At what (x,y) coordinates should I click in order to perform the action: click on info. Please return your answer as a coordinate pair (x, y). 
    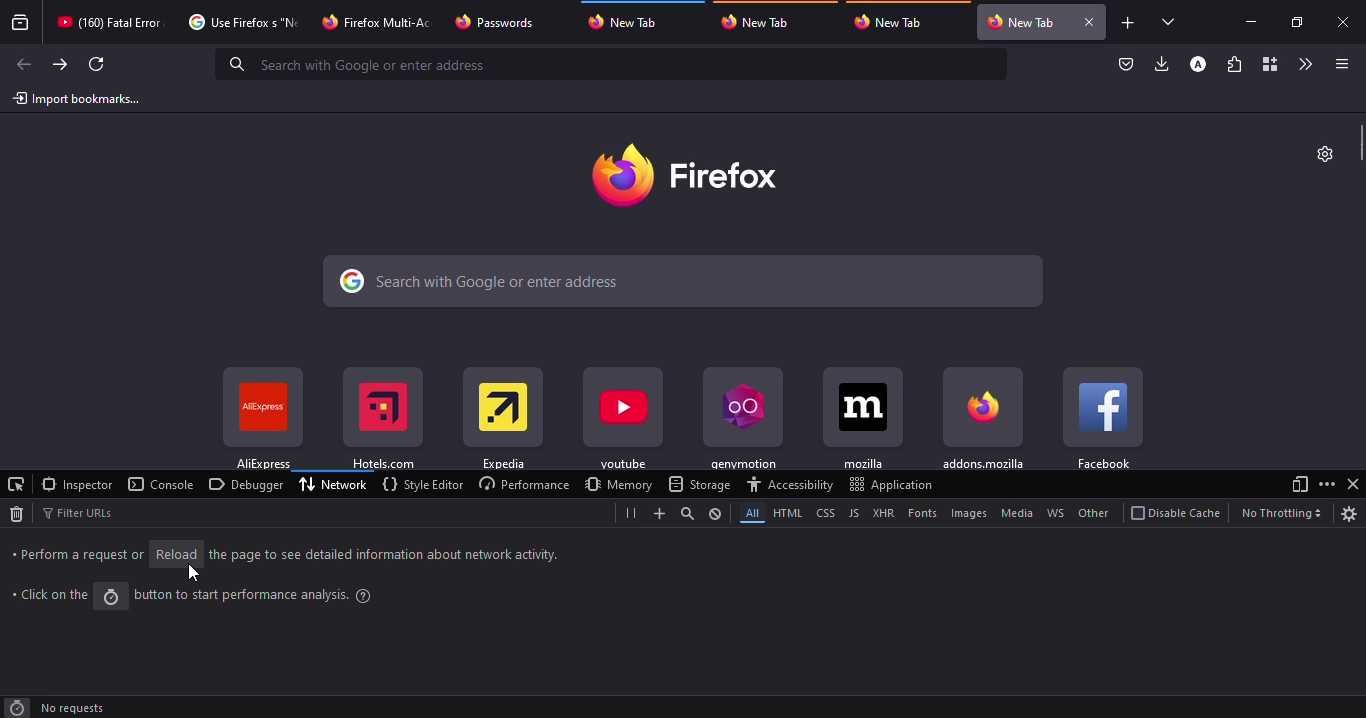
    Looking at the image, I should click on (258, 594).